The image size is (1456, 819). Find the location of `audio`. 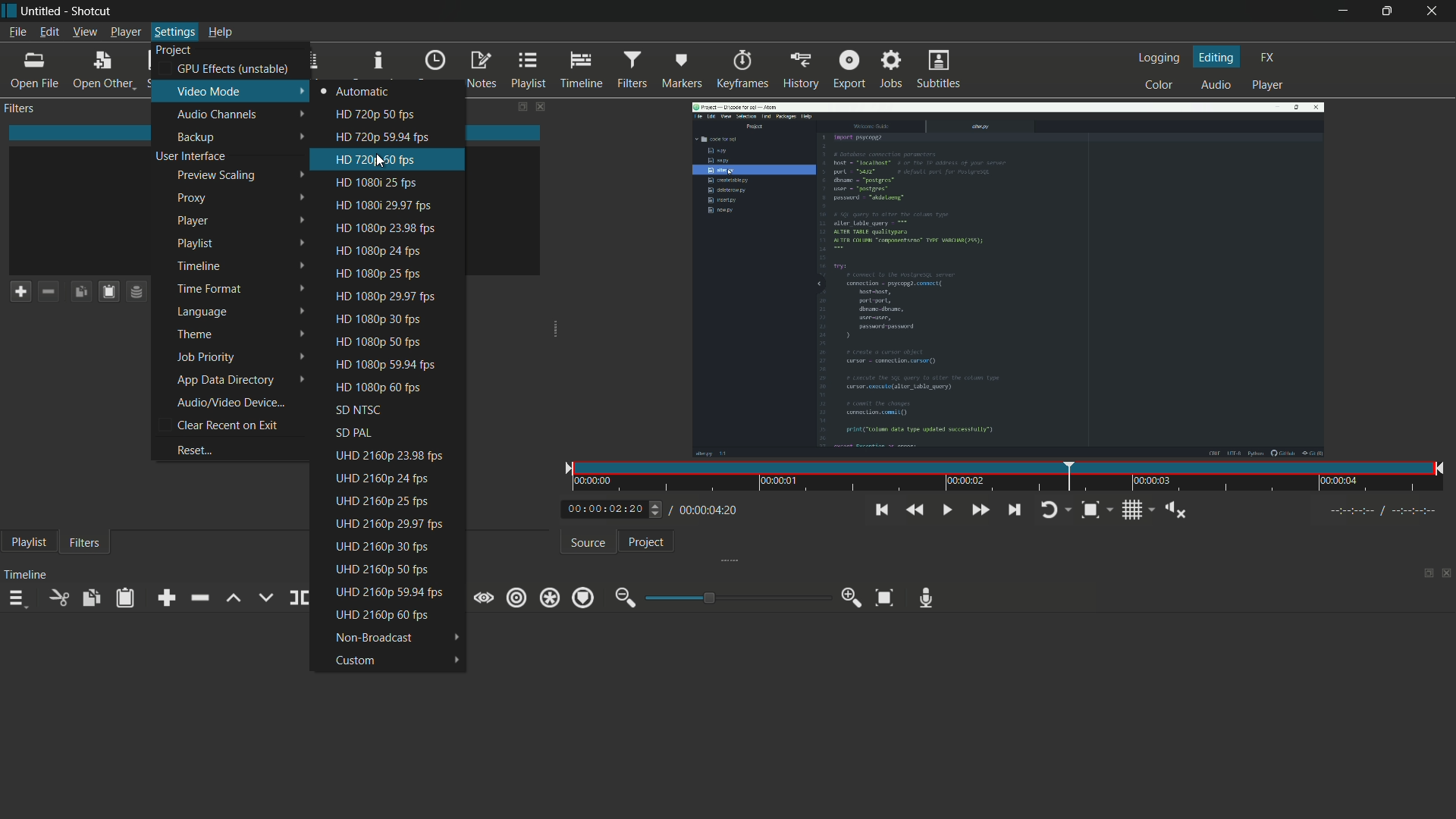

audio is located at coordinates (1217, 85).